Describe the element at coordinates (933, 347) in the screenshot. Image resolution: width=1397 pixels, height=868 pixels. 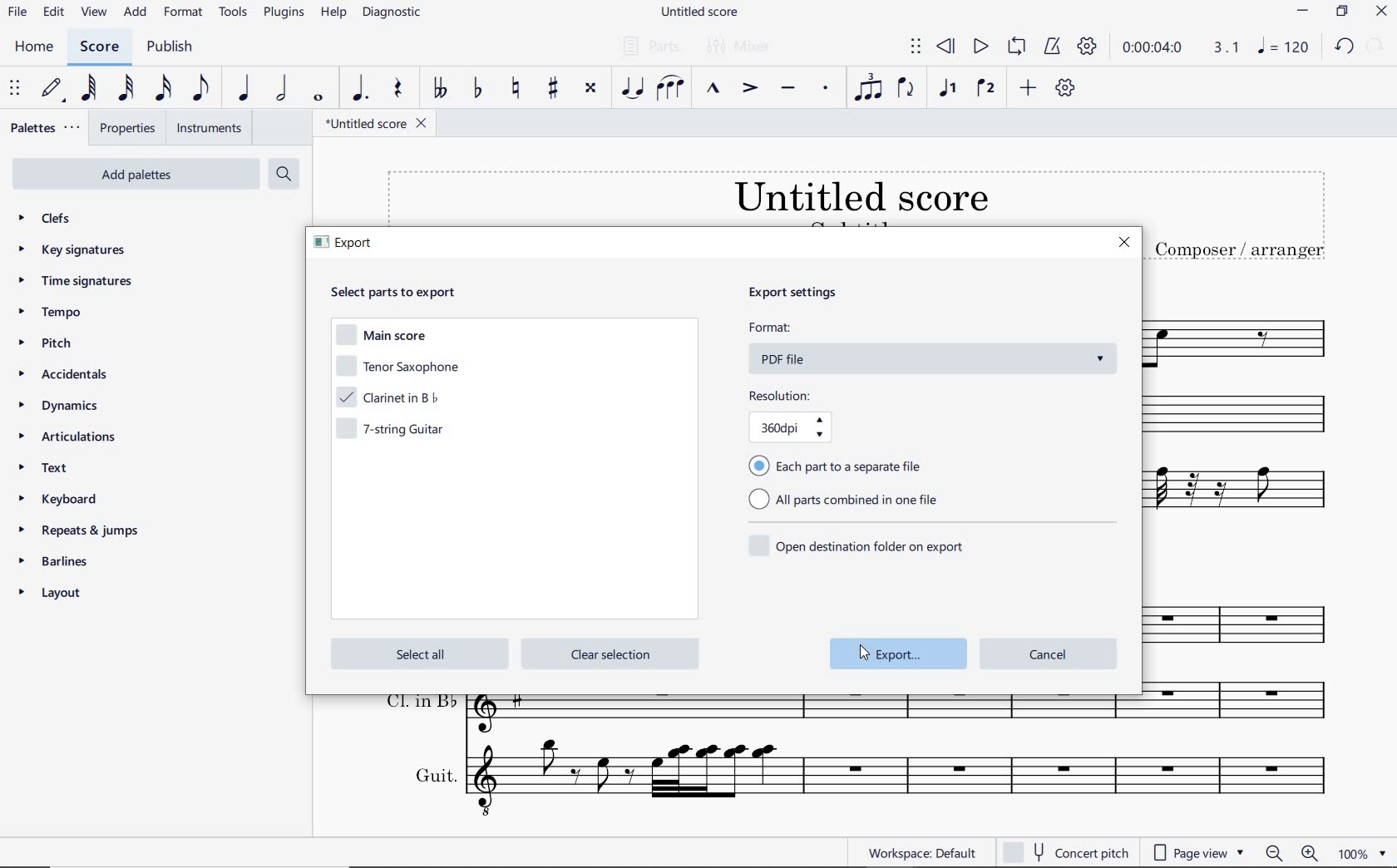
I see `format` at that location.